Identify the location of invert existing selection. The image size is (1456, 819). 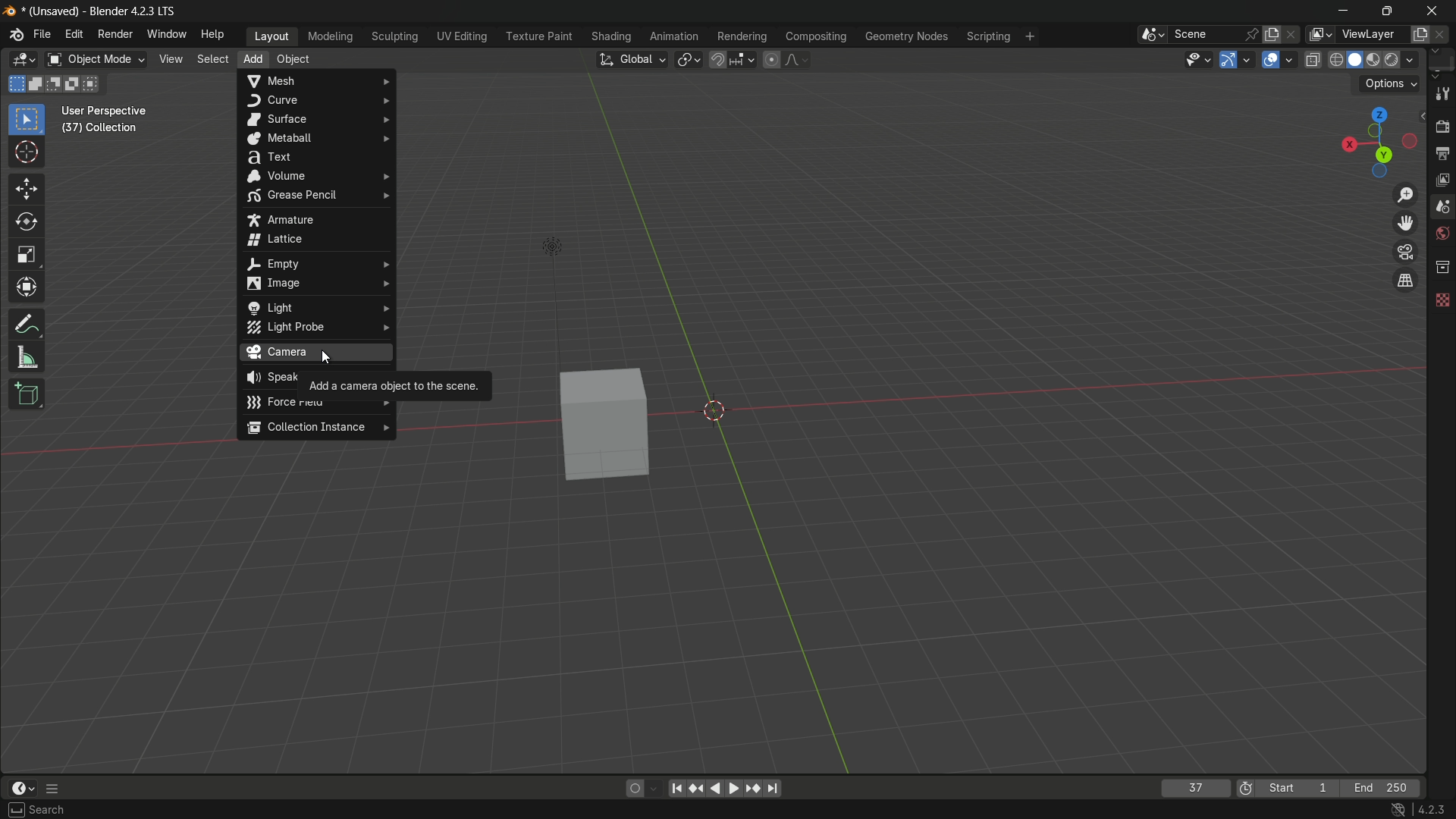
(76, 83).